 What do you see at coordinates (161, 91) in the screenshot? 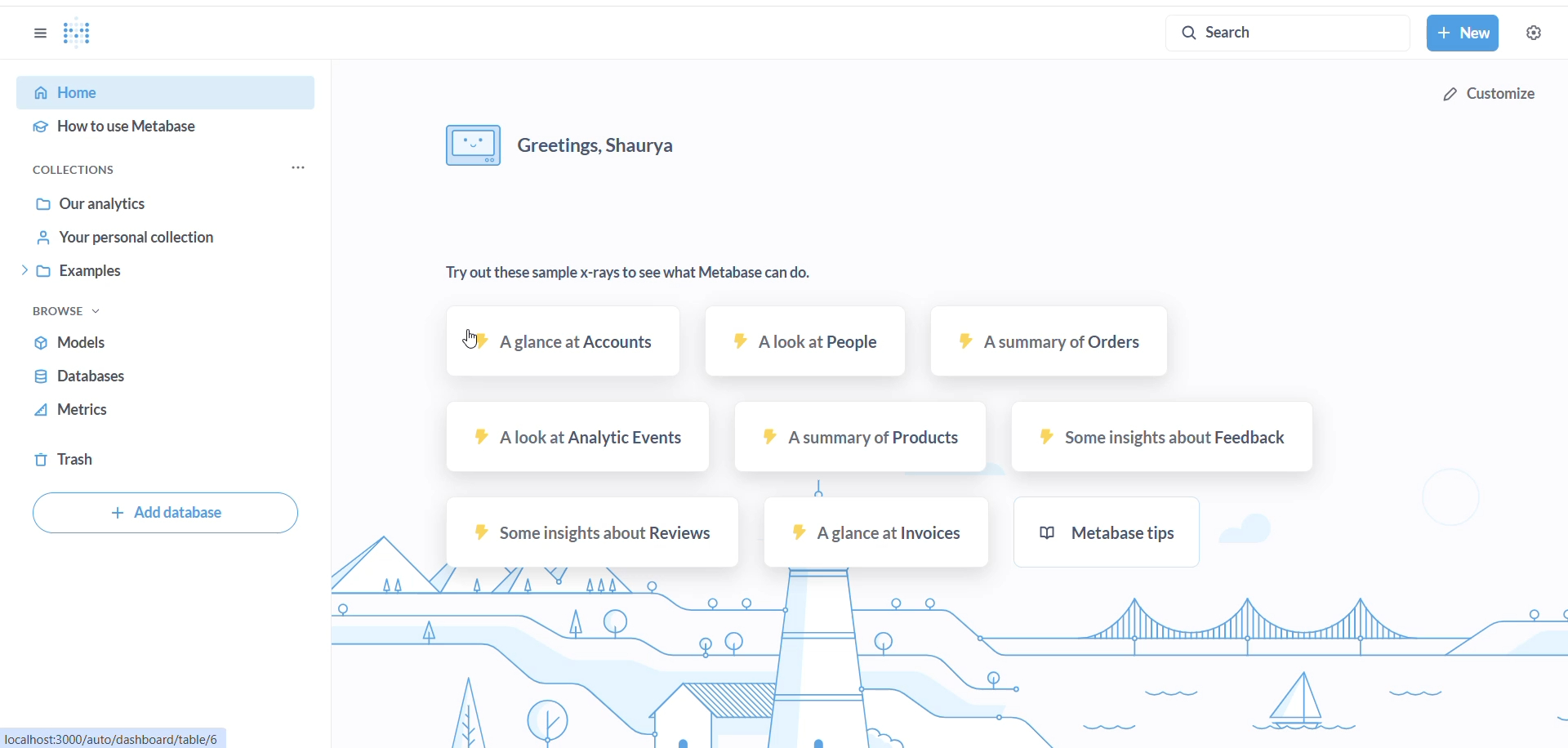
I see `home` at bounding box center [161, 91].